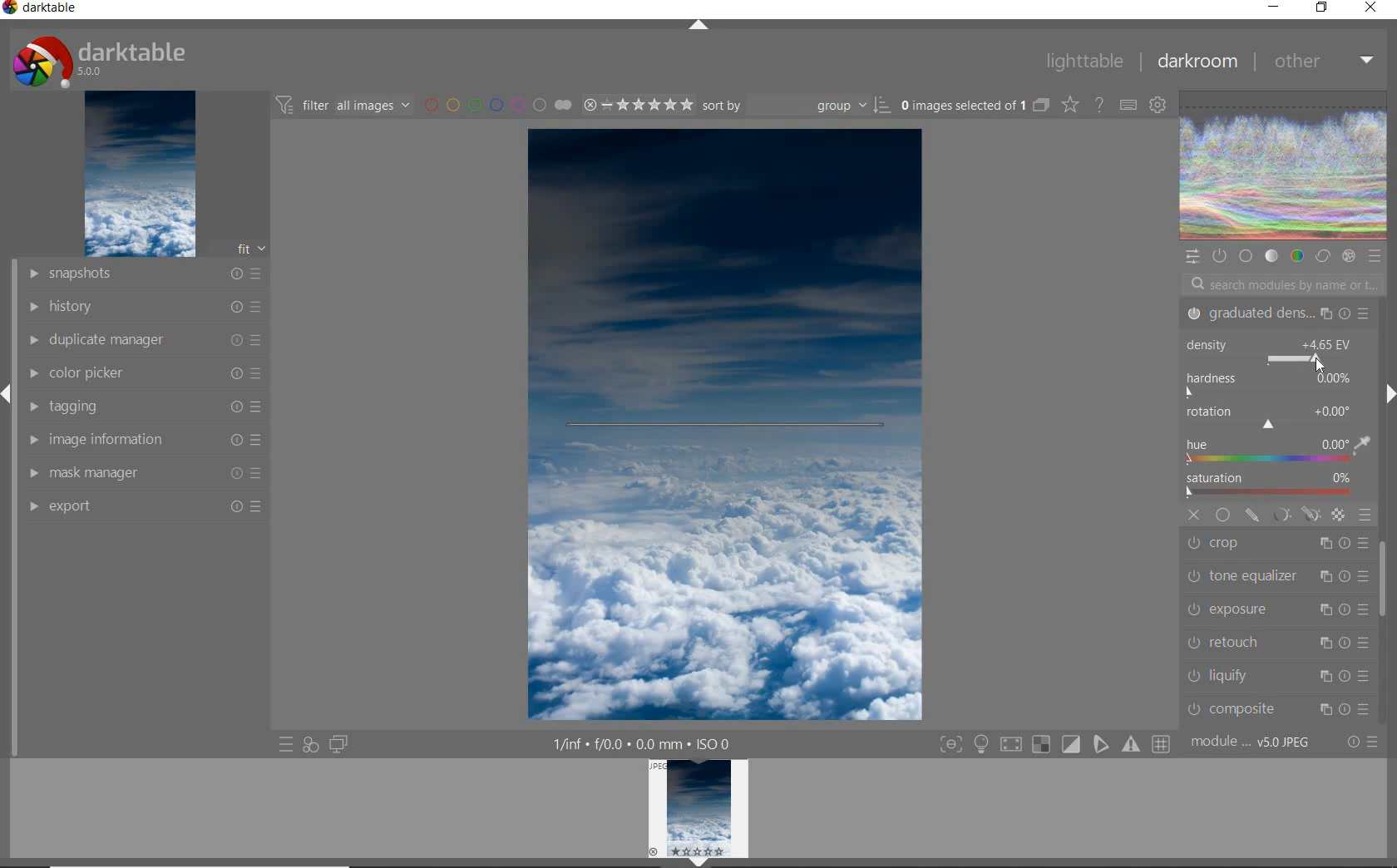 This screenshot has width=1397, height=868. Describe the element at coordinates (1321, 63) in the screenshot. I see `OTHER` at that location.